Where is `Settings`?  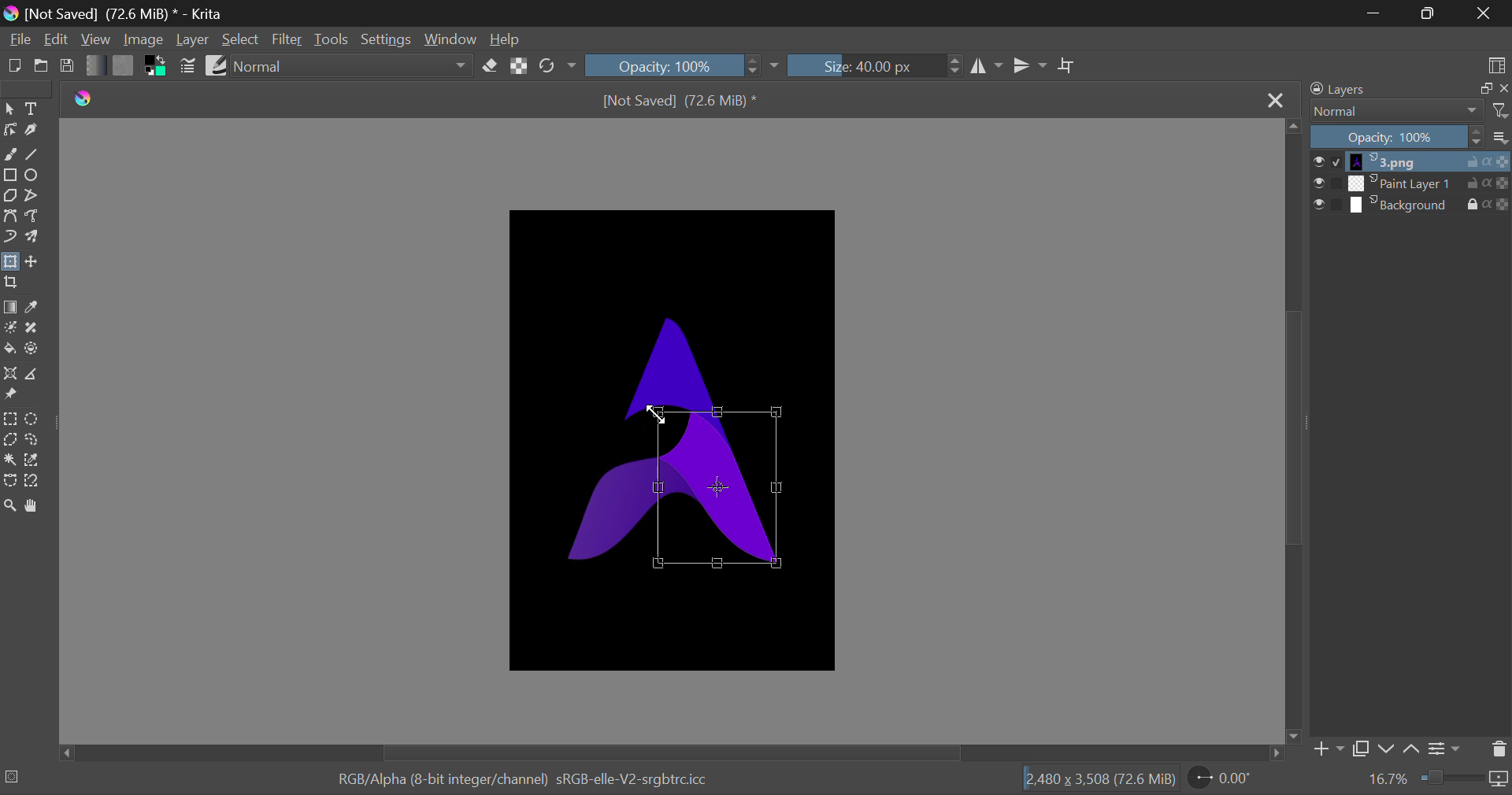 Settings is located at coordinates (384, 39).